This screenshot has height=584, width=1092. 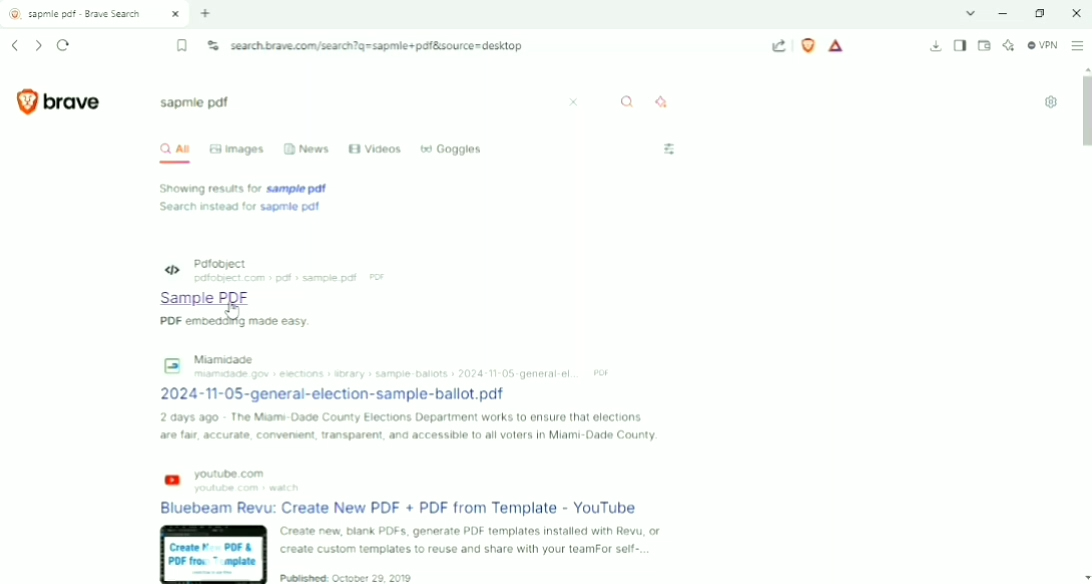 What do you see at coordinates (575, 102) in the screenshot?
I see `Clear` at bounding box center [575, 102].